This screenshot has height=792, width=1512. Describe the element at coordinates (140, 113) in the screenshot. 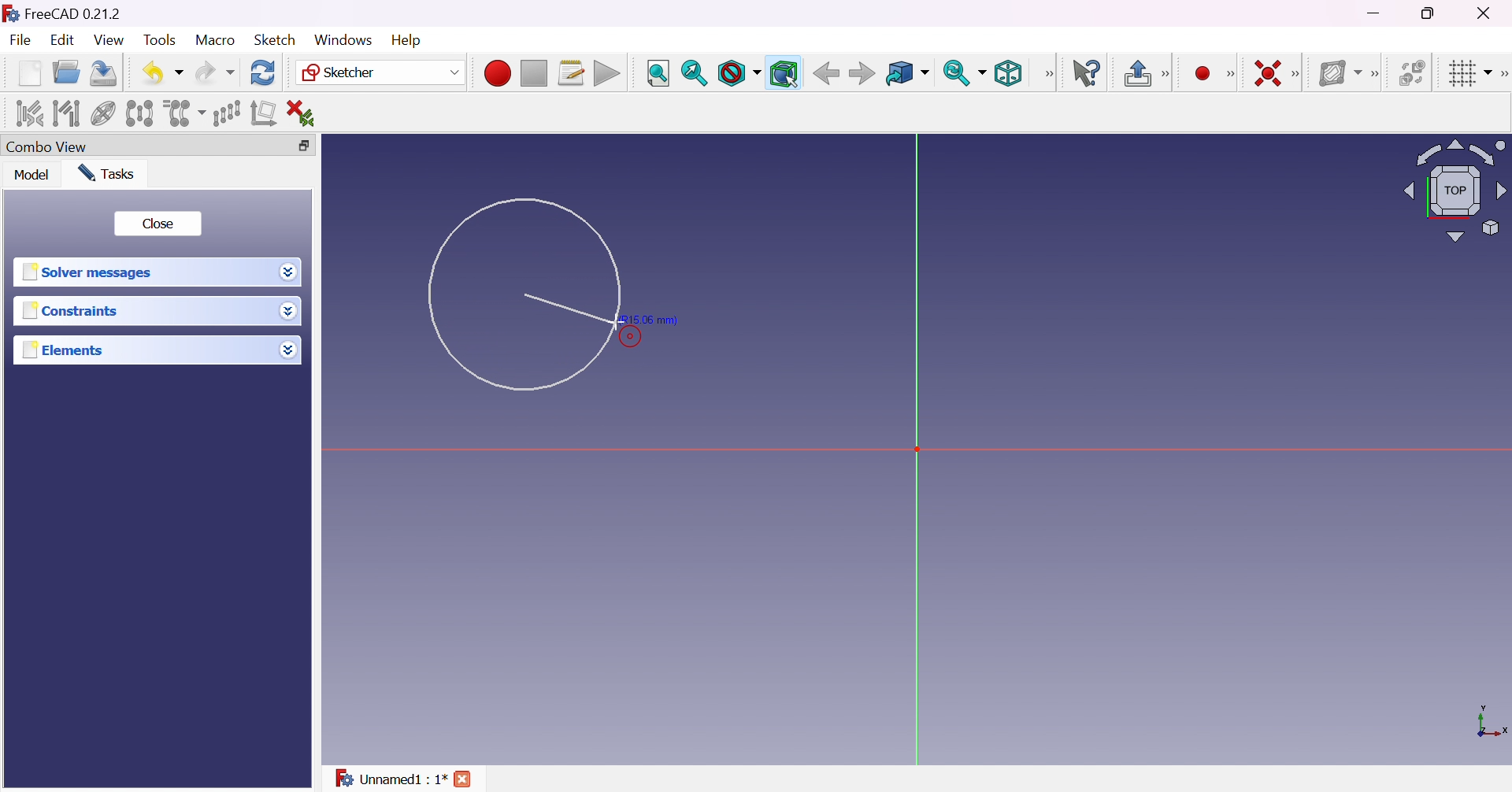

I see `Symmetry` at that location.